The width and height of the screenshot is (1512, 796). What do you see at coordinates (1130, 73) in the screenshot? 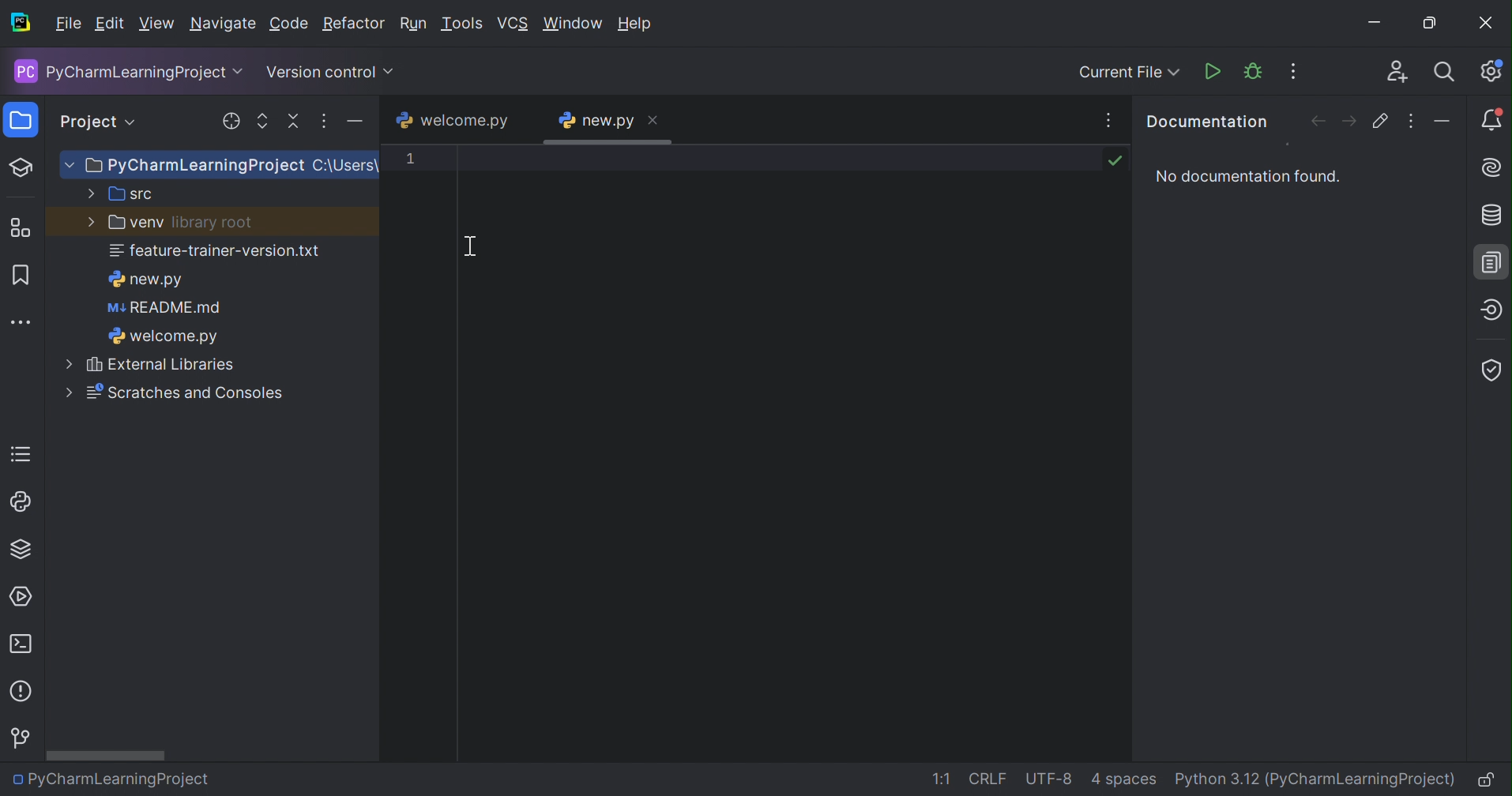
I see `Current FIle` at bounding box center [1130, 73].